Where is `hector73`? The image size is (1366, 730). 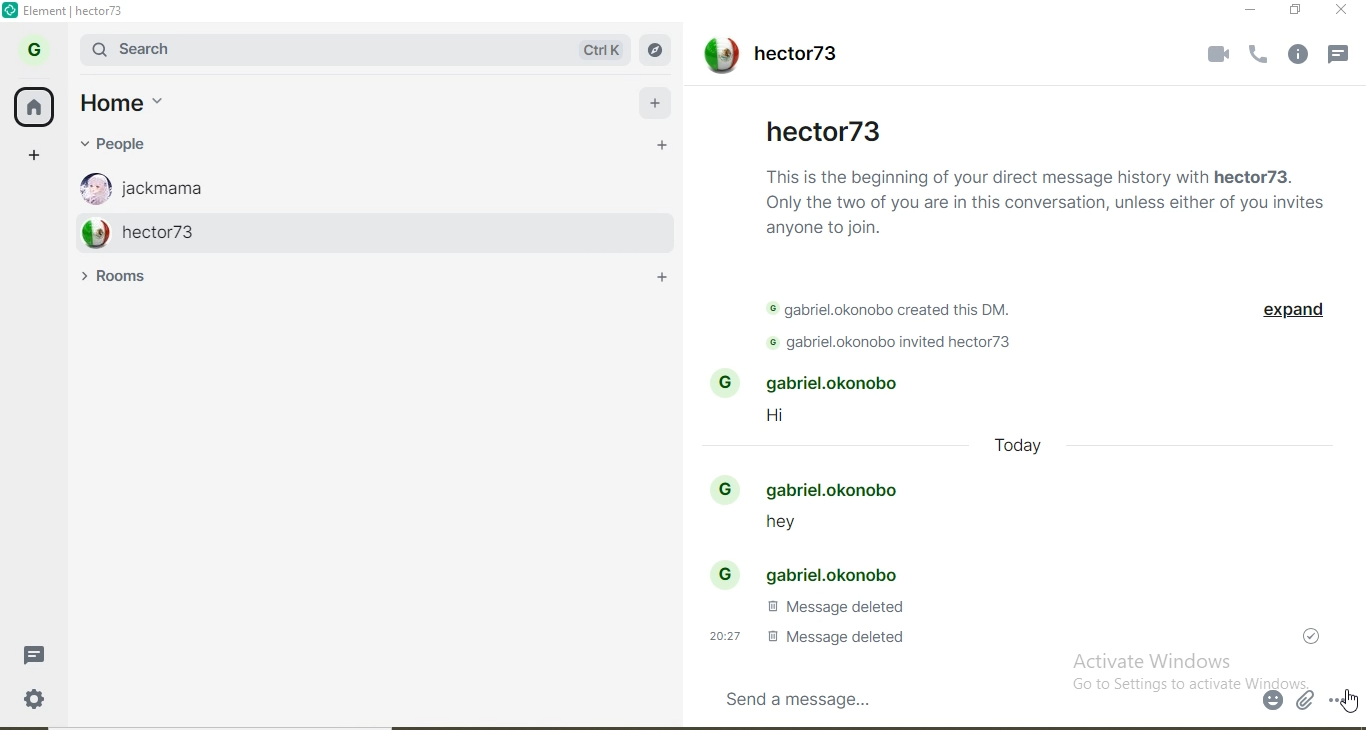 hector73 is located at coordinates (356, 231).